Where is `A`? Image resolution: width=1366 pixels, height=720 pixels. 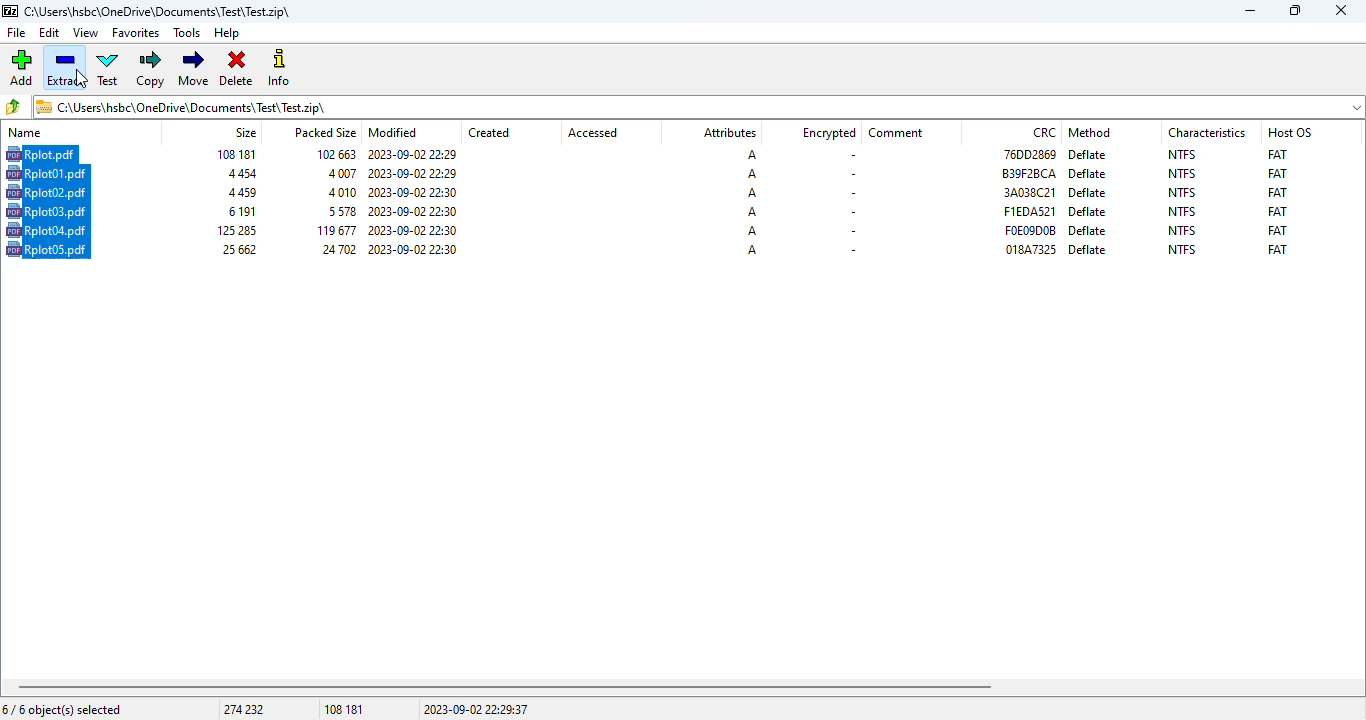
A is located at coordinates (752, 174).